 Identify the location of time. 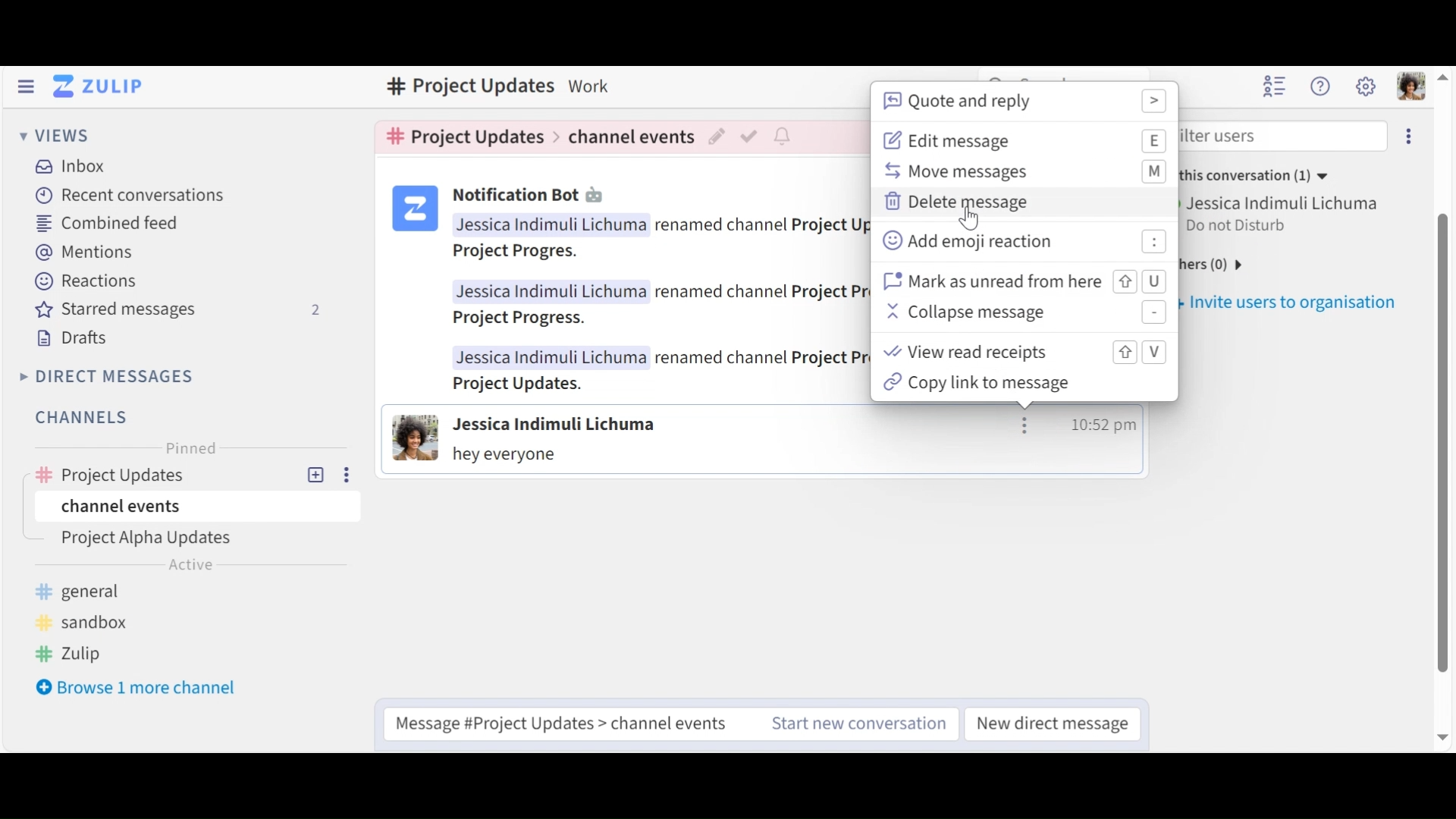
(1102, 427).